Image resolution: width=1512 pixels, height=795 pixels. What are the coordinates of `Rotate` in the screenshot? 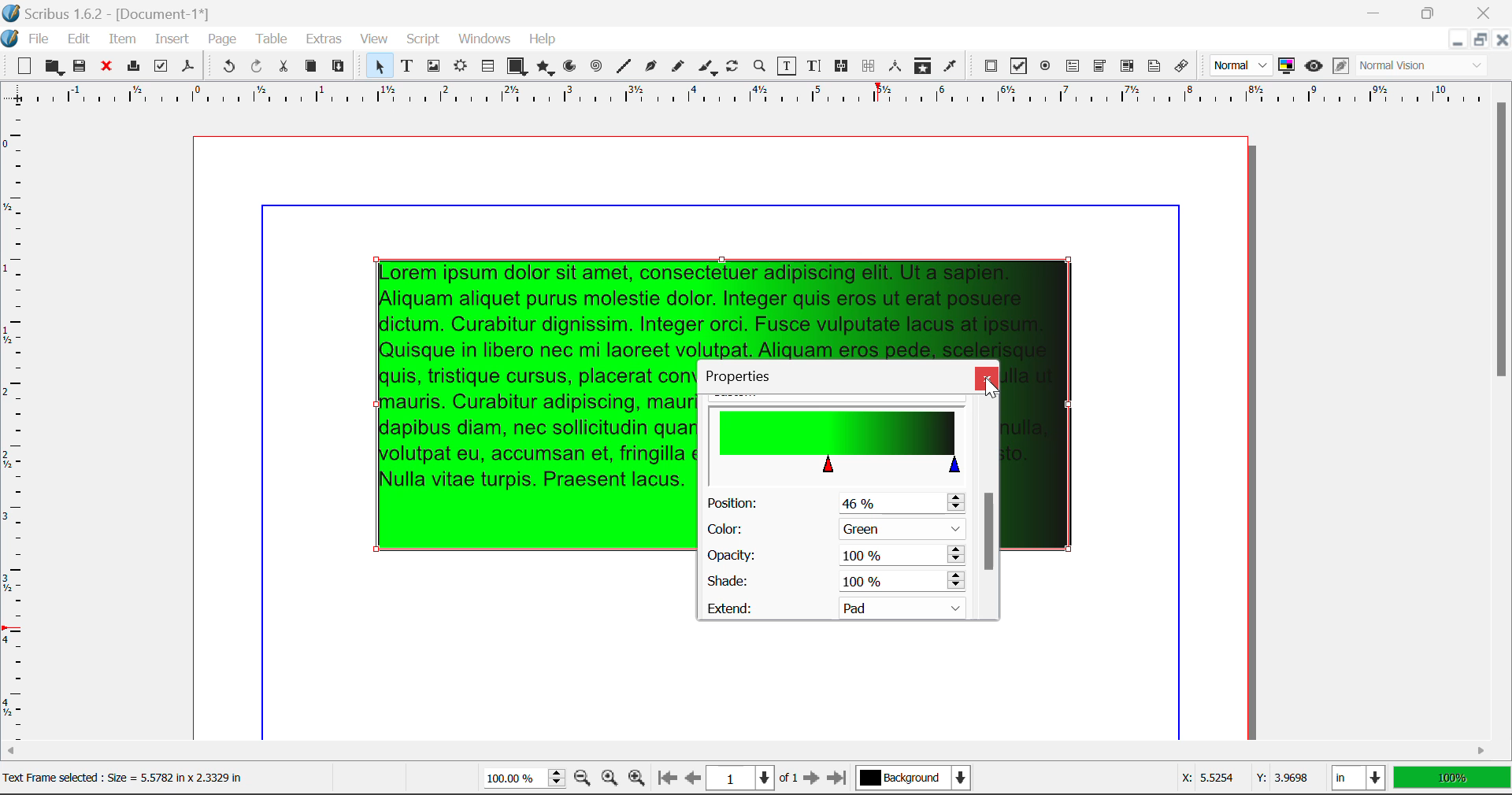 It's located at (733, 66).